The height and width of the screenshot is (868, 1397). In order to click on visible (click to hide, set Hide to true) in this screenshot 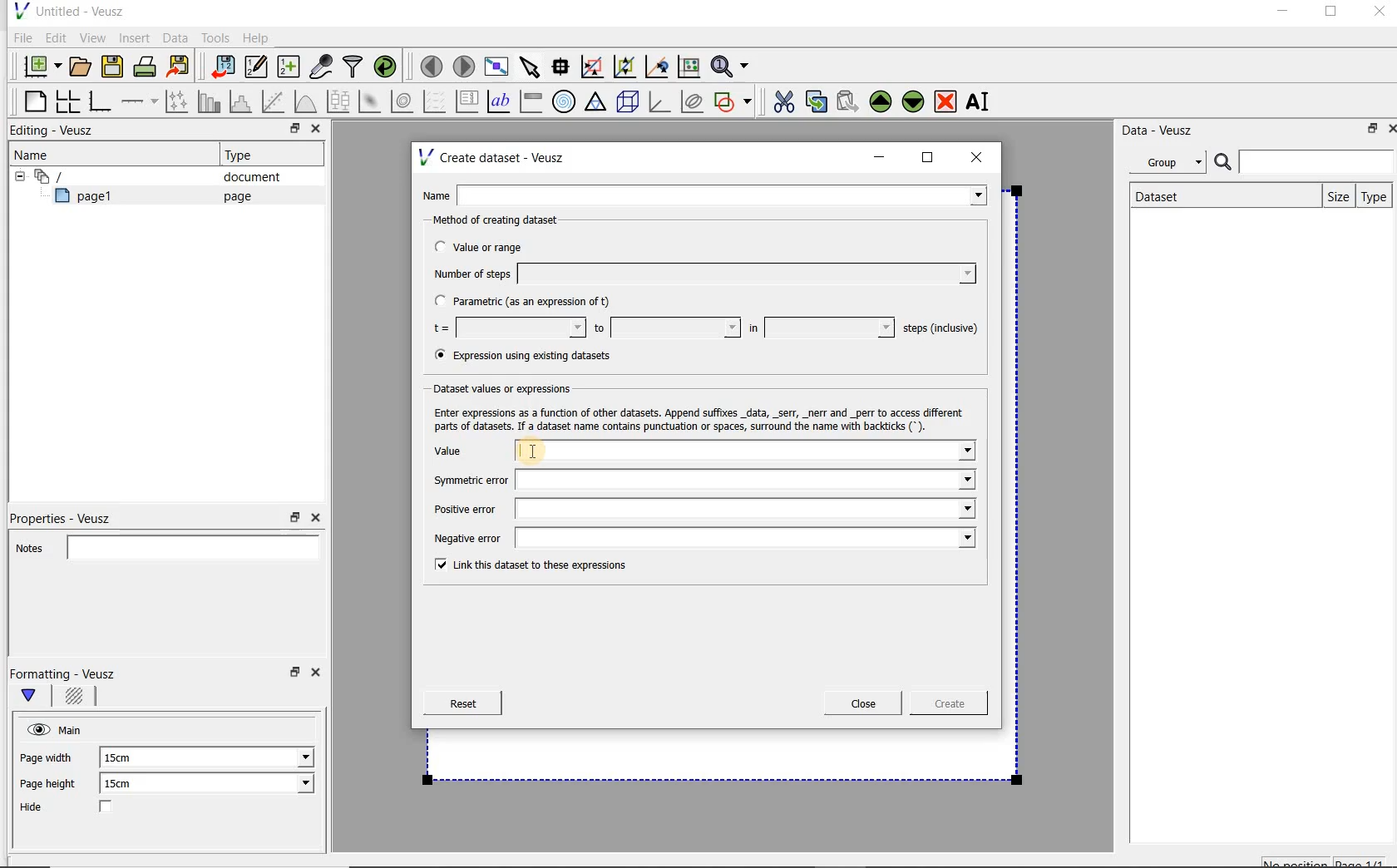, I will do `click(36, 729)`.